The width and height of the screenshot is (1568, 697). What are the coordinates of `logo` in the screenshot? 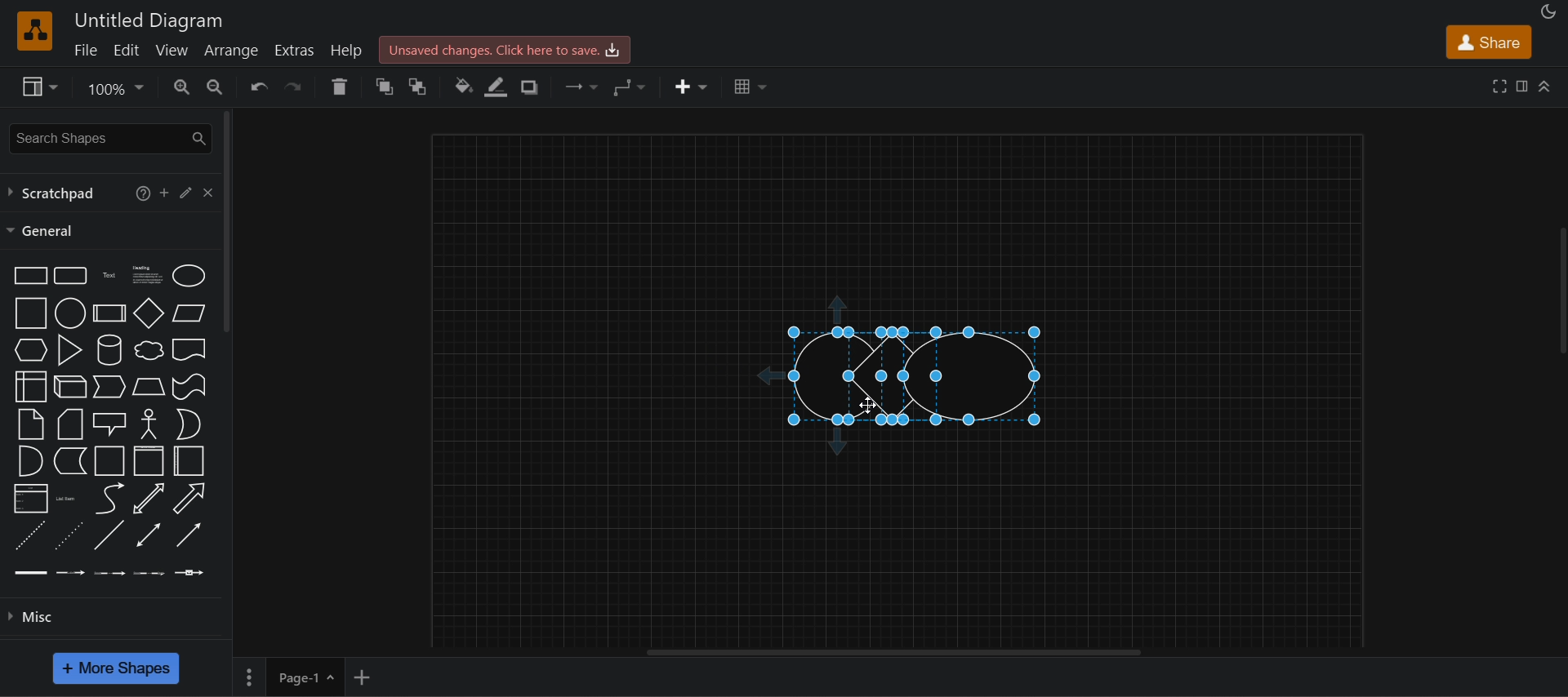 It's located at (33, 30).